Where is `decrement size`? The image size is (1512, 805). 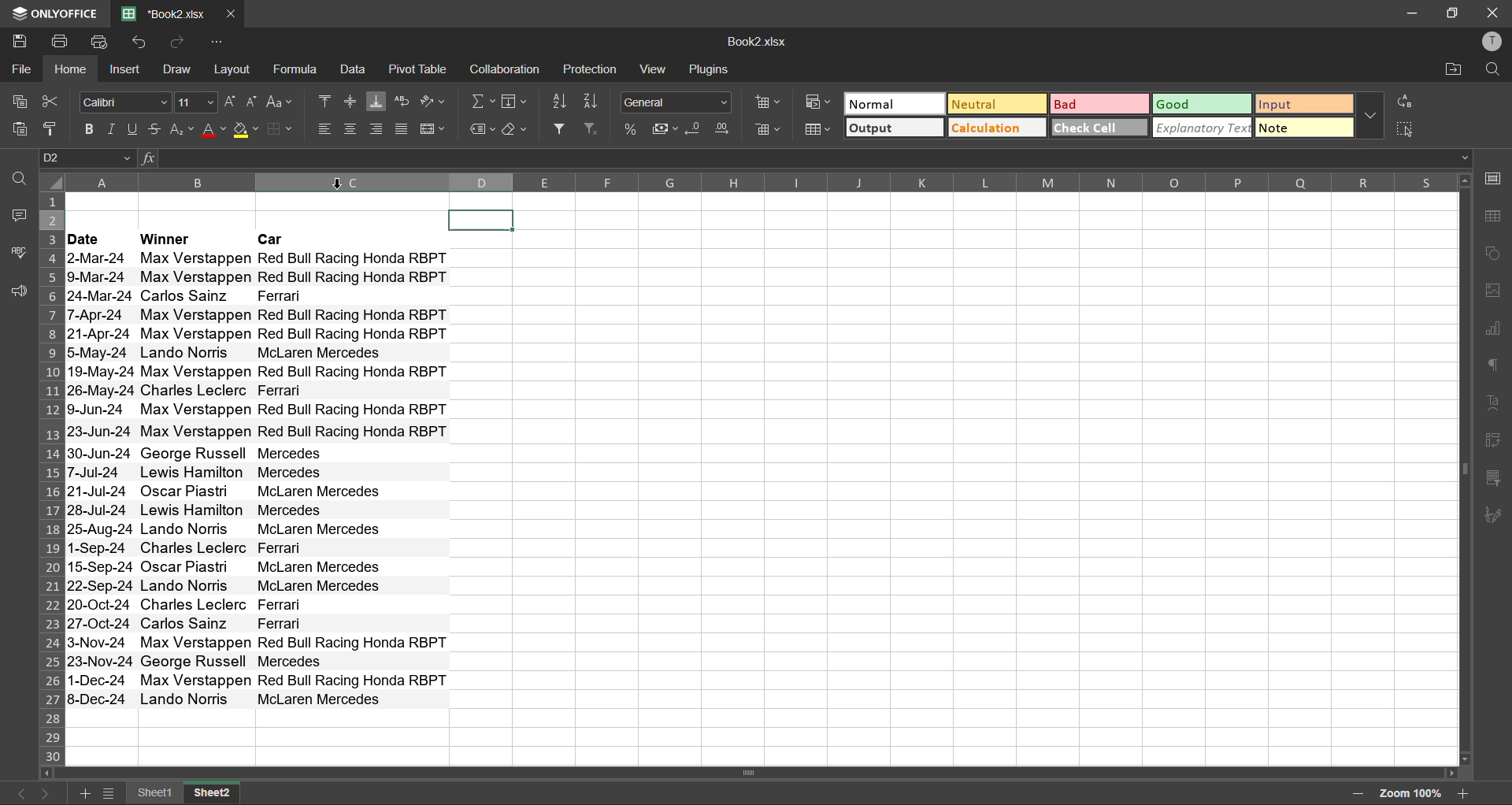 decrement size is located at coordinates (254, 100).